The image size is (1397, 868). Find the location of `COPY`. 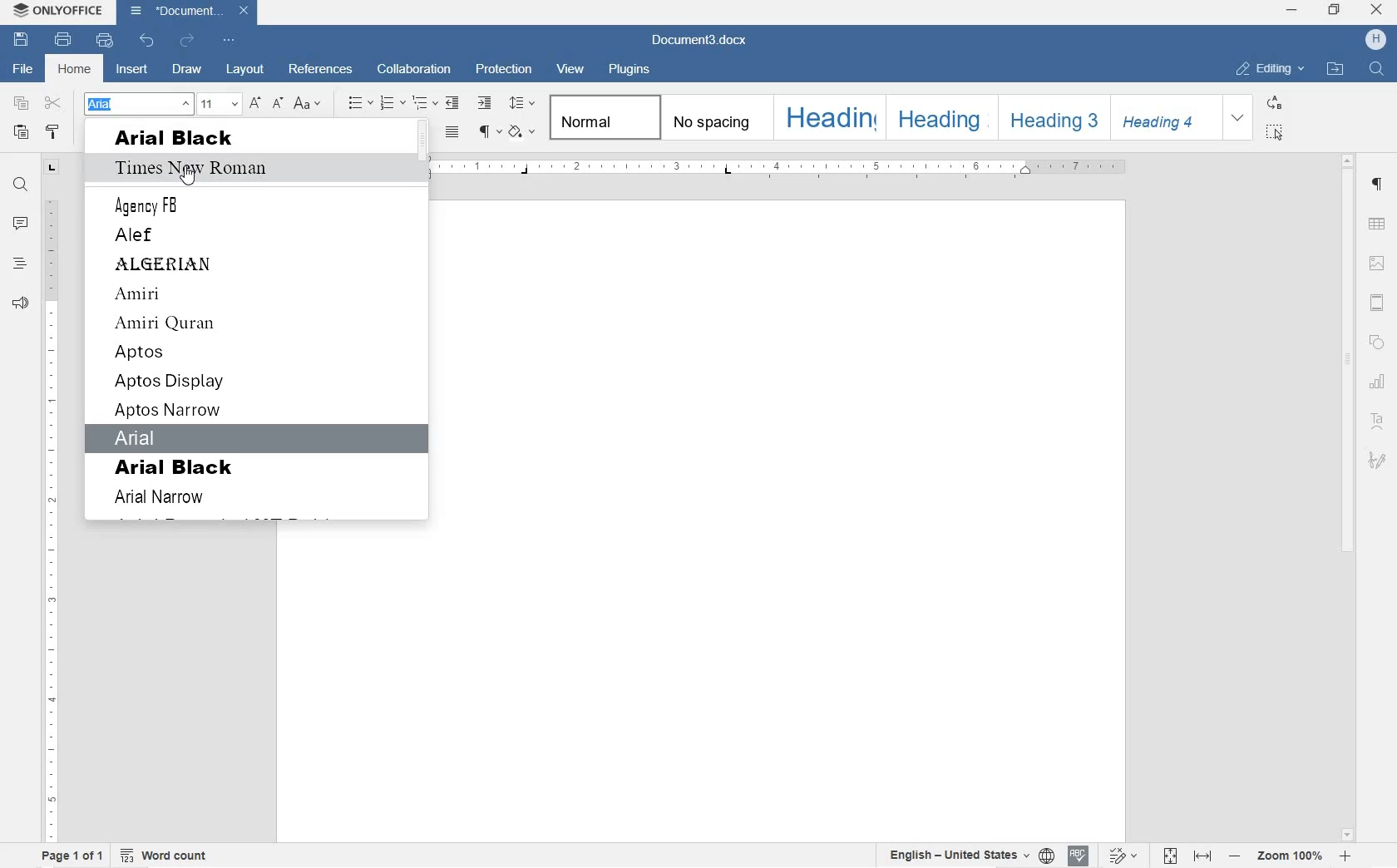

COPY is located at coordinates (22, 103).